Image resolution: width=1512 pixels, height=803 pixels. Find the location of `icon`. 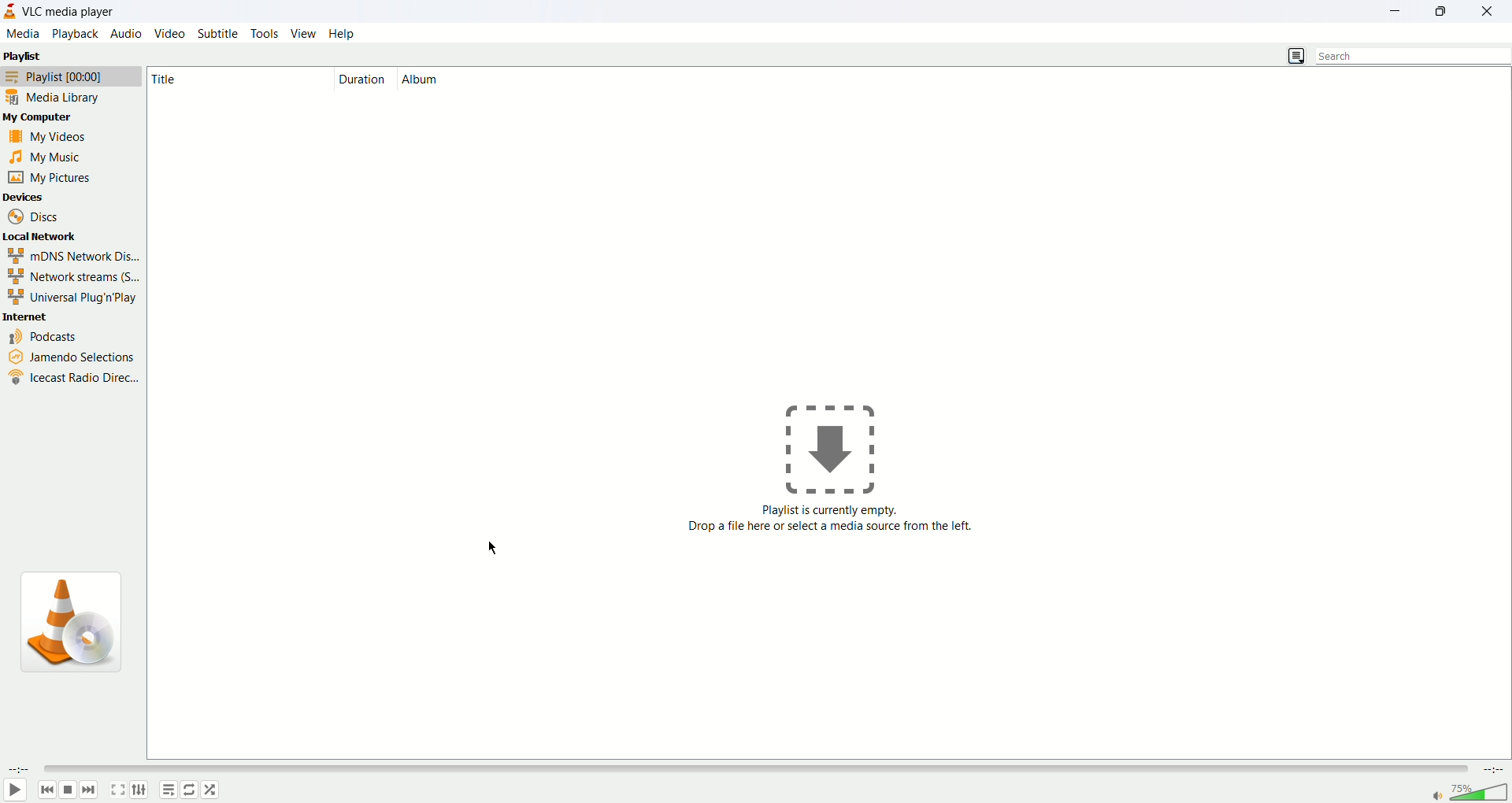

icon is located at coordinates (69, 624).